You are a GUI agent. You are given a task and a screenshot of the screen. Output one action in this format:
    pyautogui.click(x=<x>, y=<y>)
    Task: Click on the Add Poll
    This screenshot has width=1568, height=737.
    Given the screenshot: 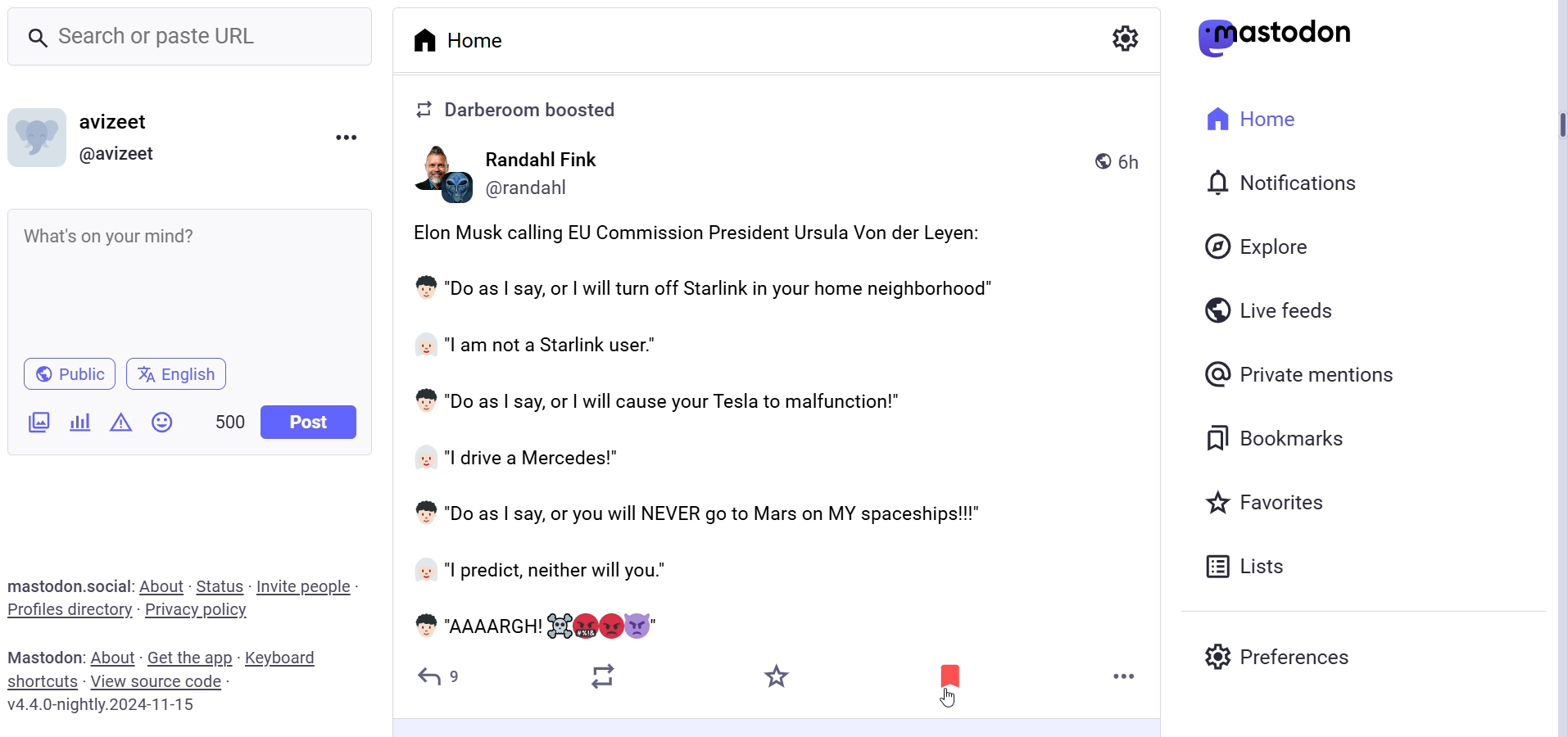 What is the action you would take?
    pyautogui.click(x=80, y=422)
    